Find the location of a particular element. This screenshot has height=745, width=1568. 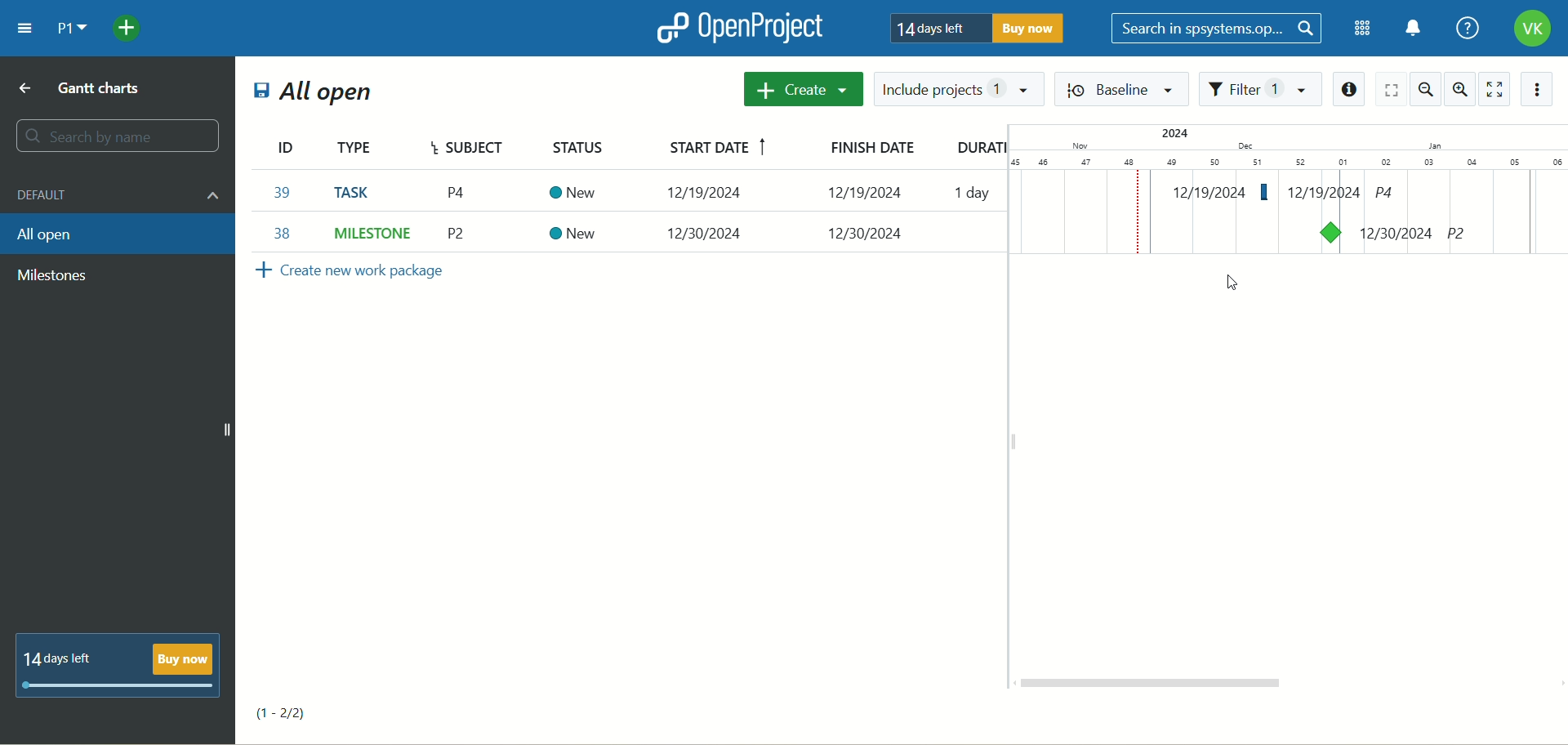

help is located at coordinates (1466, 28).